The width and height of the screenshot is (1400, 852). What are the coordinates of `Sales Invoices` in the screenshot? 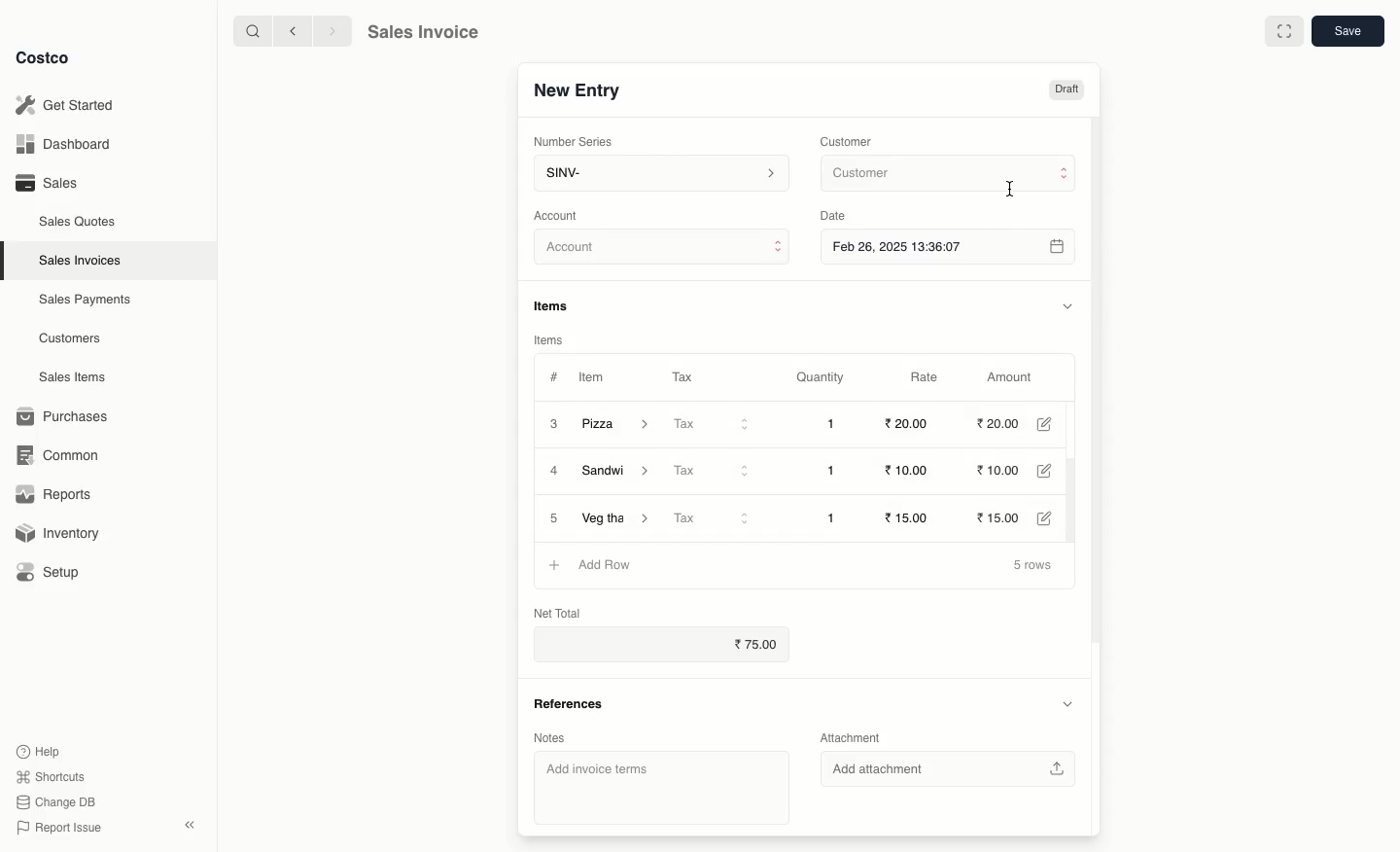 It's located at (81, 261).